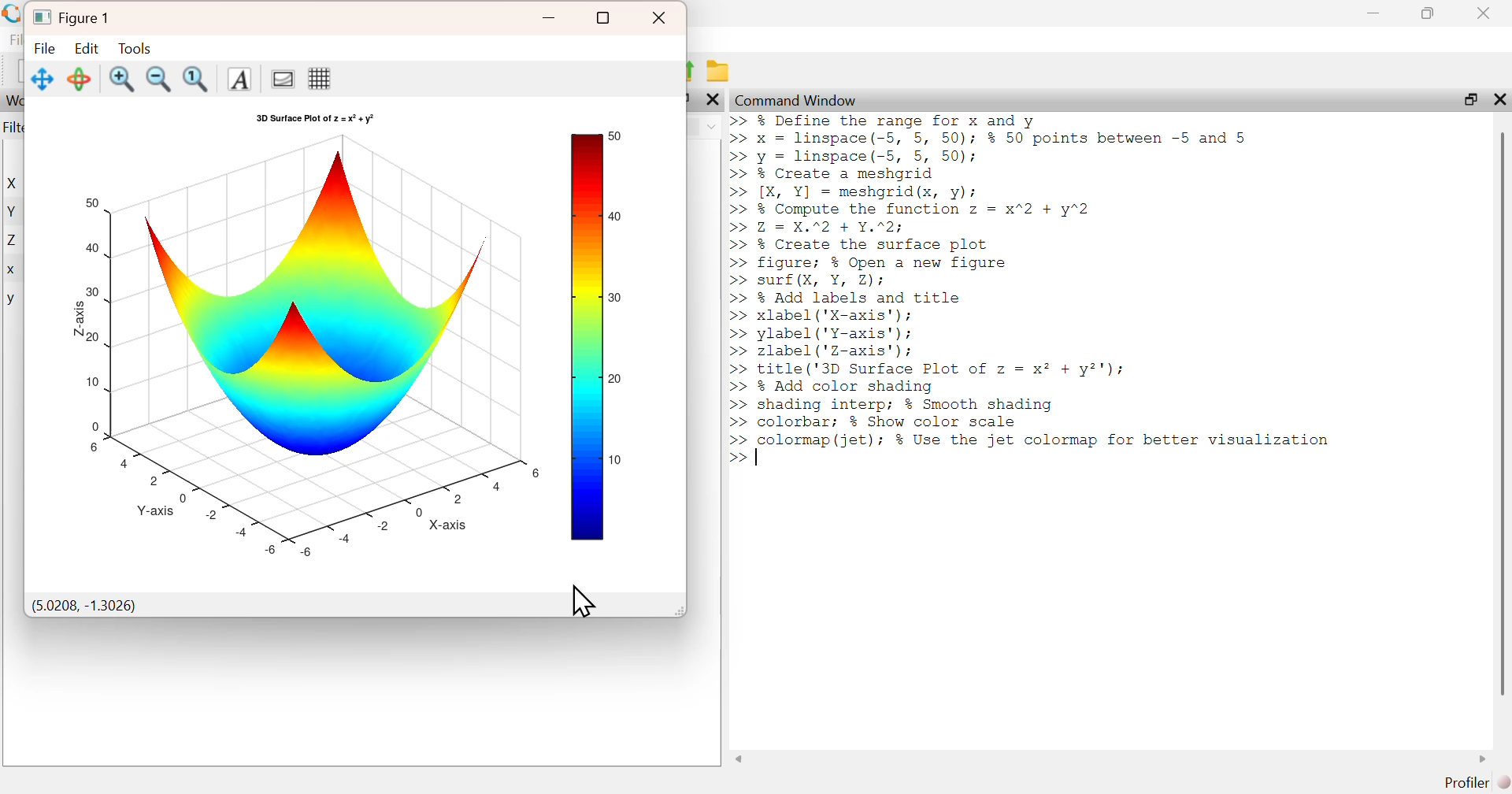 This screenshot has height=794, width=1512. Describe the element at coordinates (43, 79) in the screenshot. I see `Move` at that location.